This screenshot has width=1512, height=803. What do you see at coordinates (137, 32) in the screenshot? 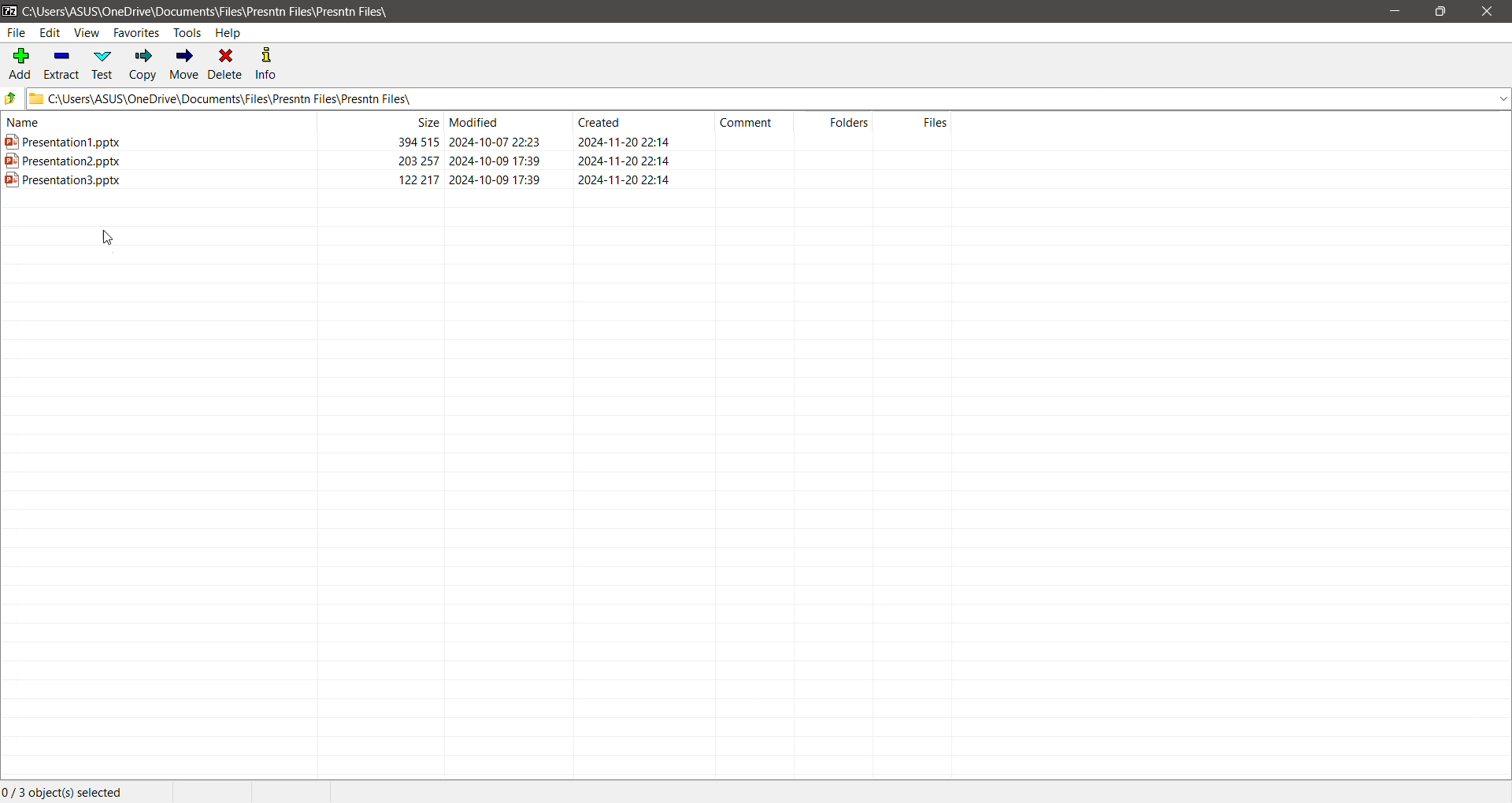
I see `Favorites` at bounding box center [137, 32].